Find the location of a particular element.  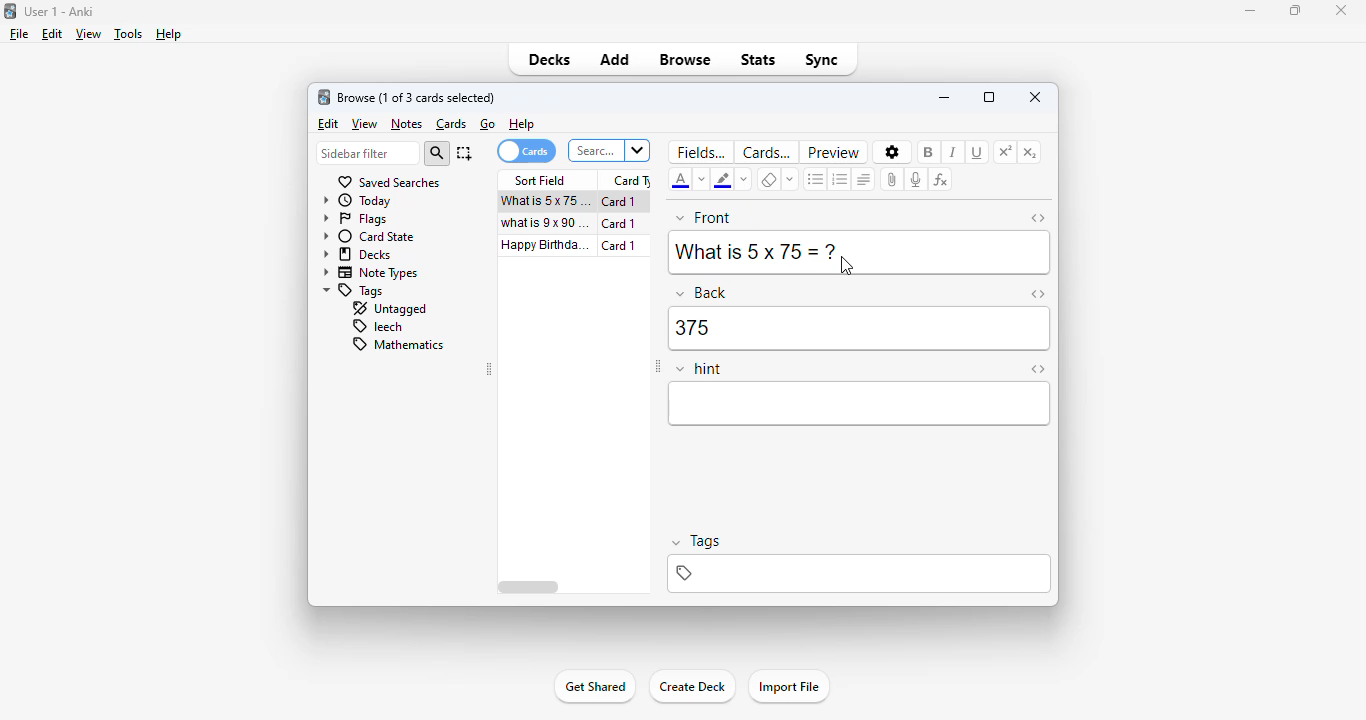

logo is located at coordinates (10, 11).